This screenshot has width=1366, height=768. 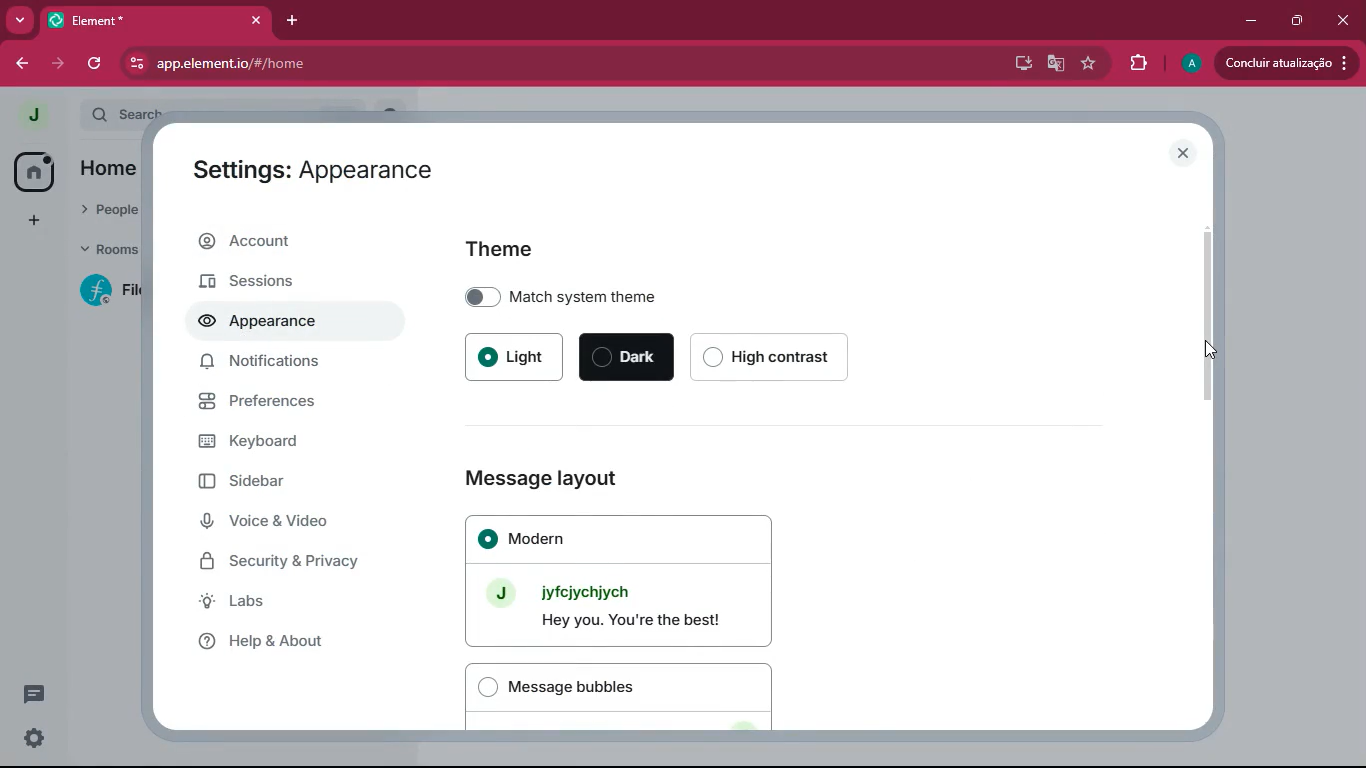 What do you see at coordinates (1089, 63) in the screenshot?
I see `favourite` at bounding box center [1089, 63].